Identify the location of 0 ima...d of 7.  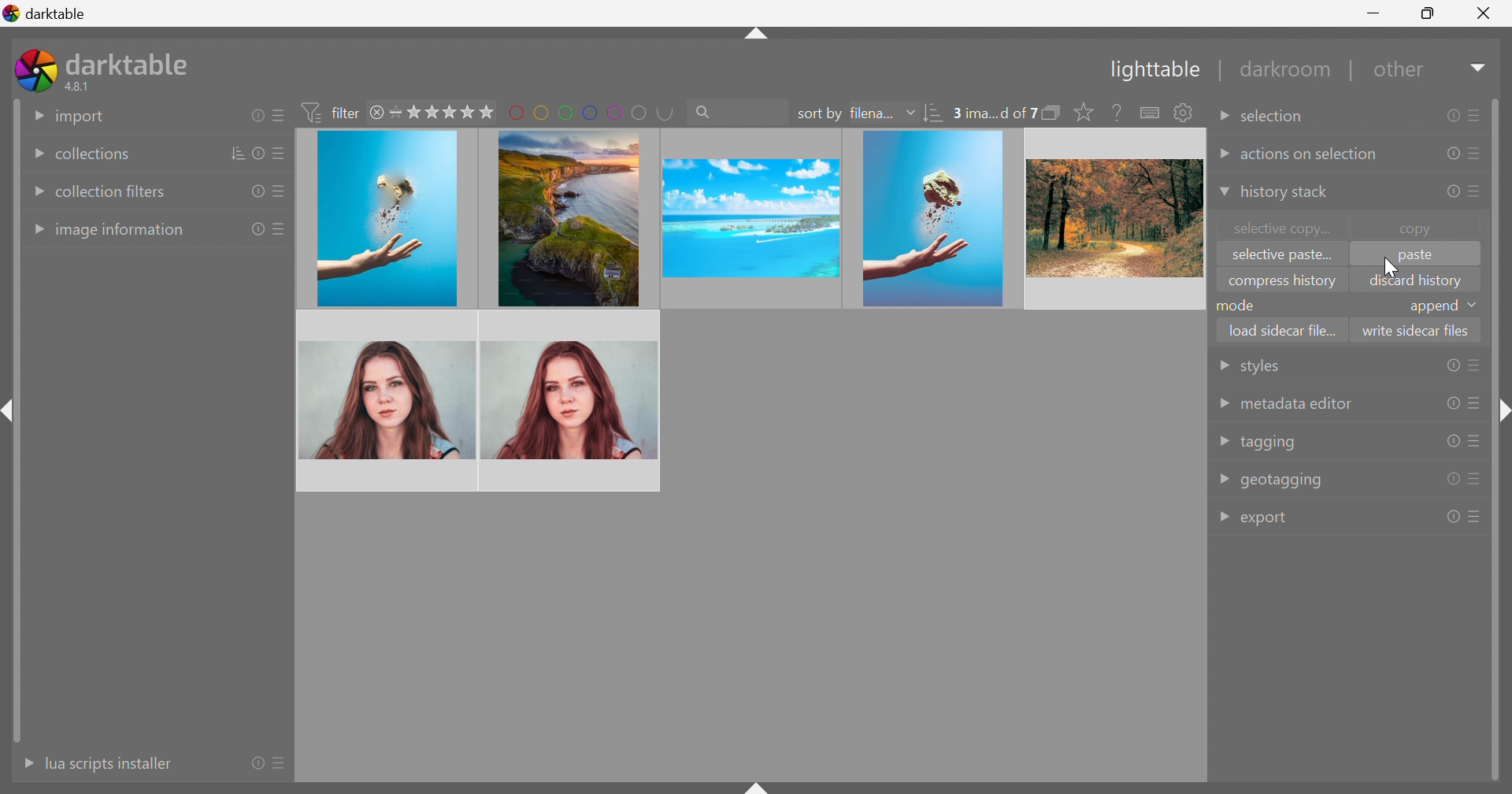
(995, 113).